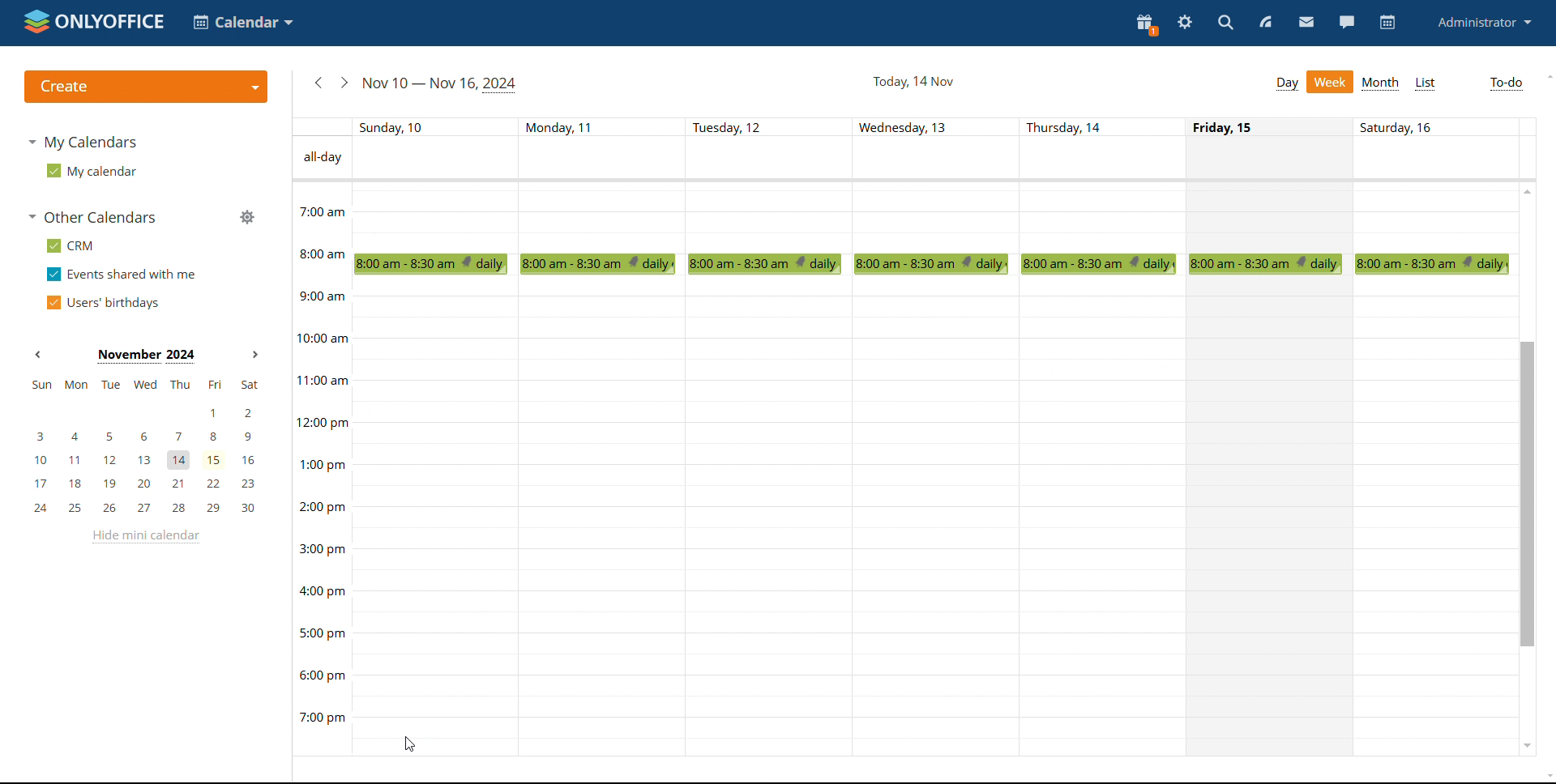  What do you see at coordinates (342, 83) in the screenshot?
I see `next week` at bounding box center [342, 83].